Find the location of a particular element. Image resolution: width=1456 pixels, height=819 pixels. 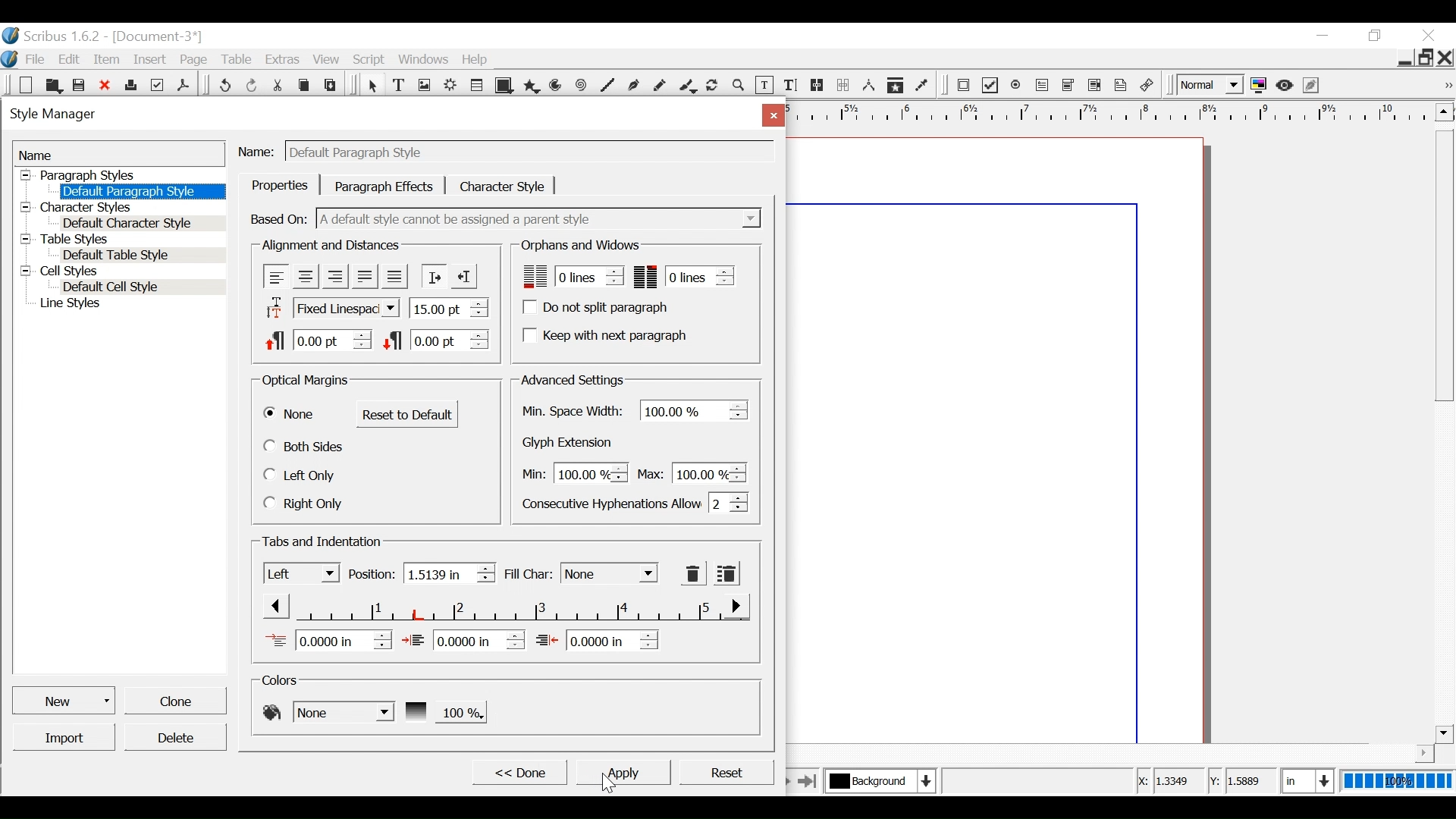

Text Frame is located at coordinates (399, 86).